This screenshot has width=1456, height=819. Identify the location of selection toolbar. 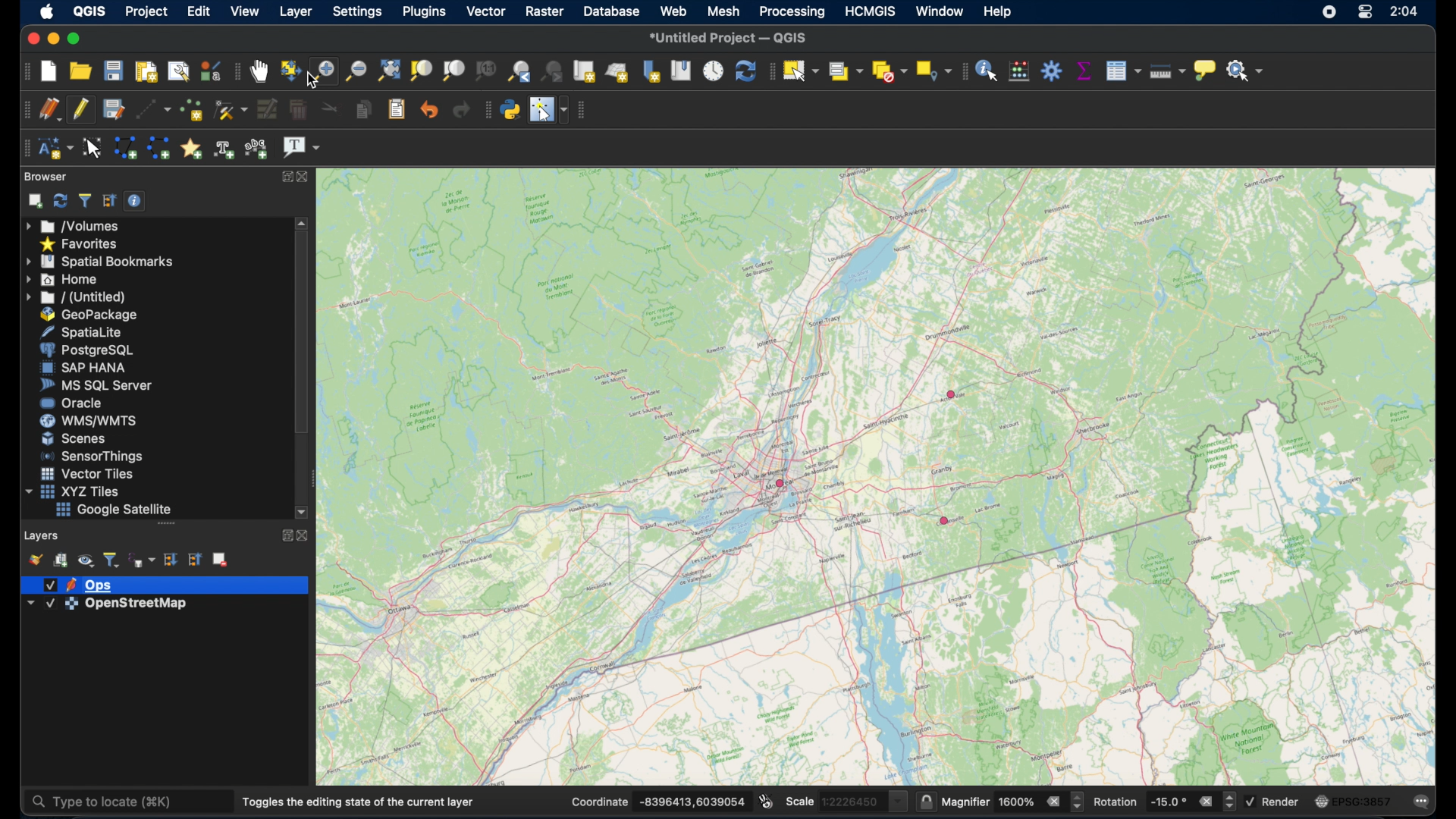
(770, 71).